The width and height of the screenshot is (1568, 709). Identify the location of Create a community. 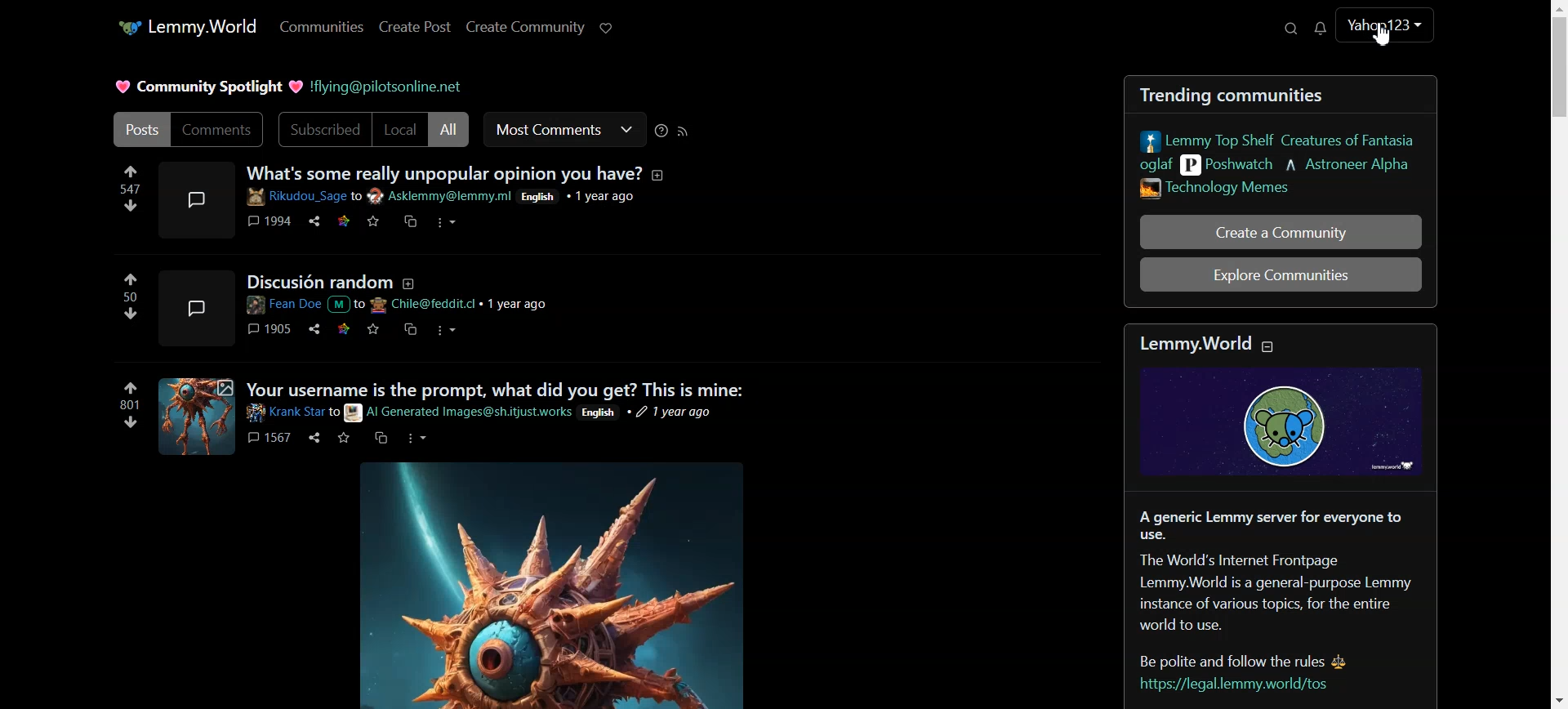
(1279, 231).